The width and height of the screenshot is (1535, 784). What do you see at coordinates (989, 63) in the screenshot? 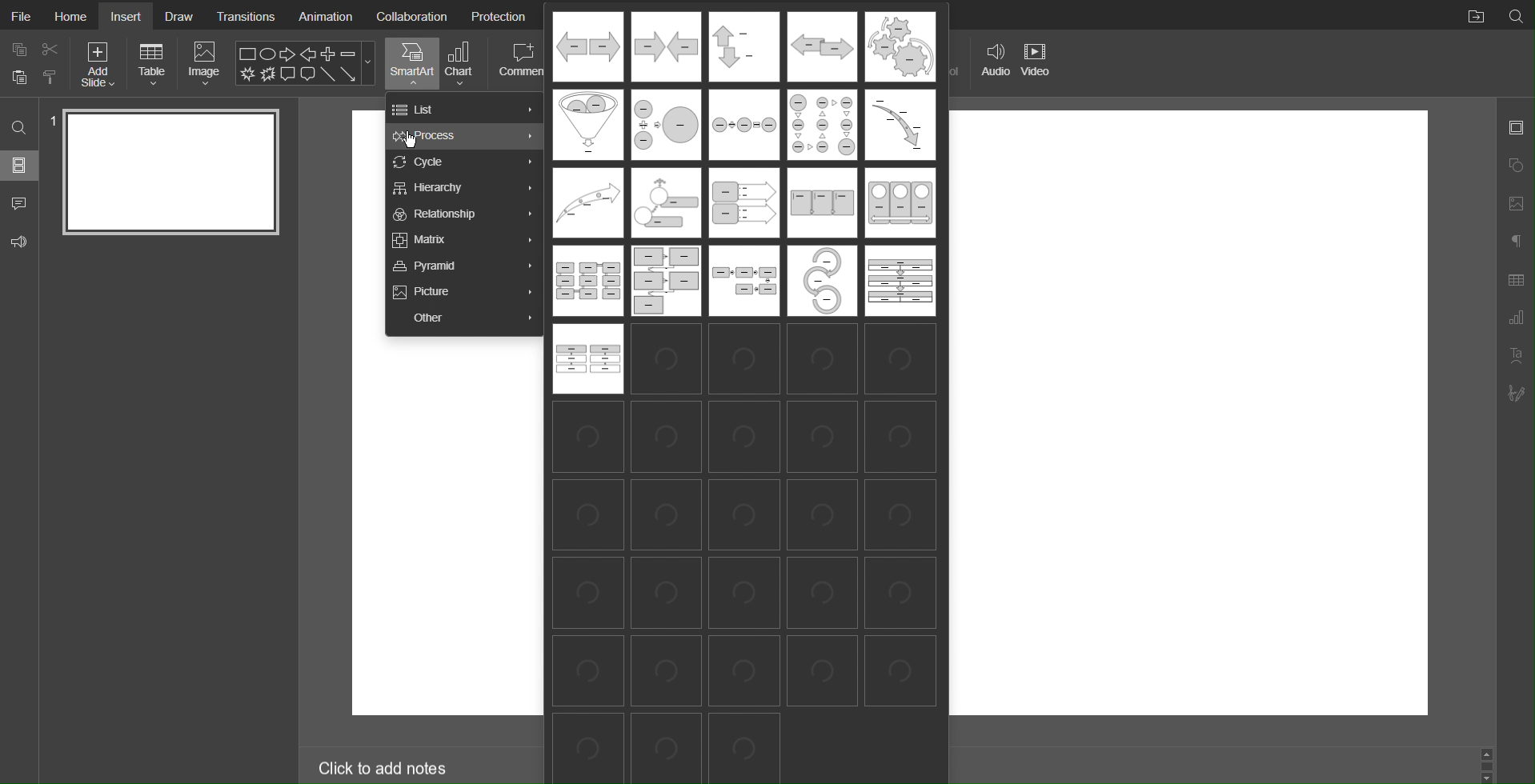
I see `Audio` at bounding box center [989, 63].